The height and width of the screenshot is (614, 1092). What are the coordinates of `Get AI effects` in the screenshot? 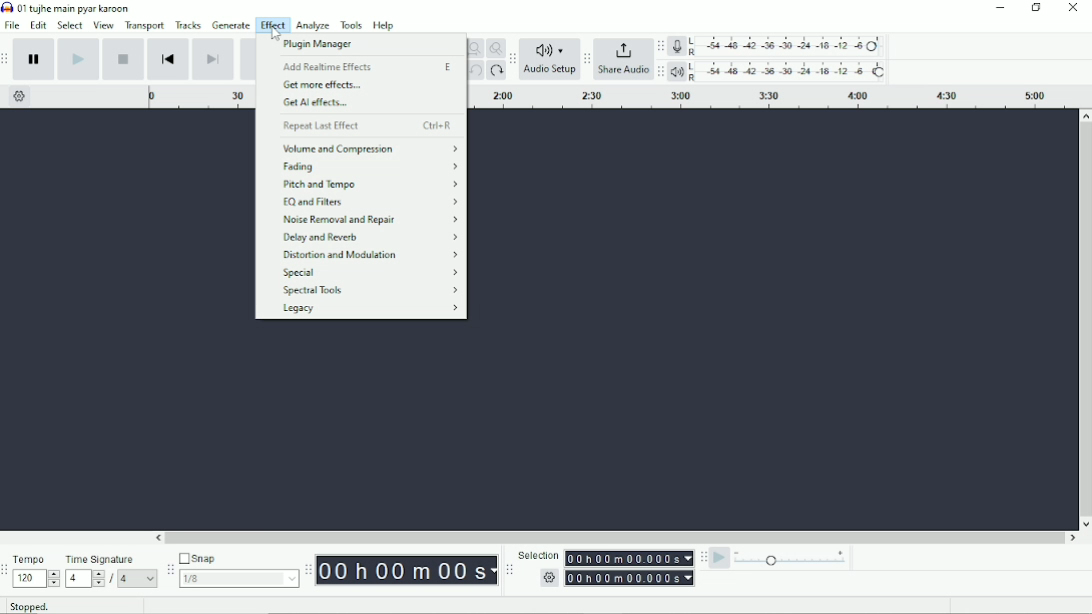 It's located at (325, 104).